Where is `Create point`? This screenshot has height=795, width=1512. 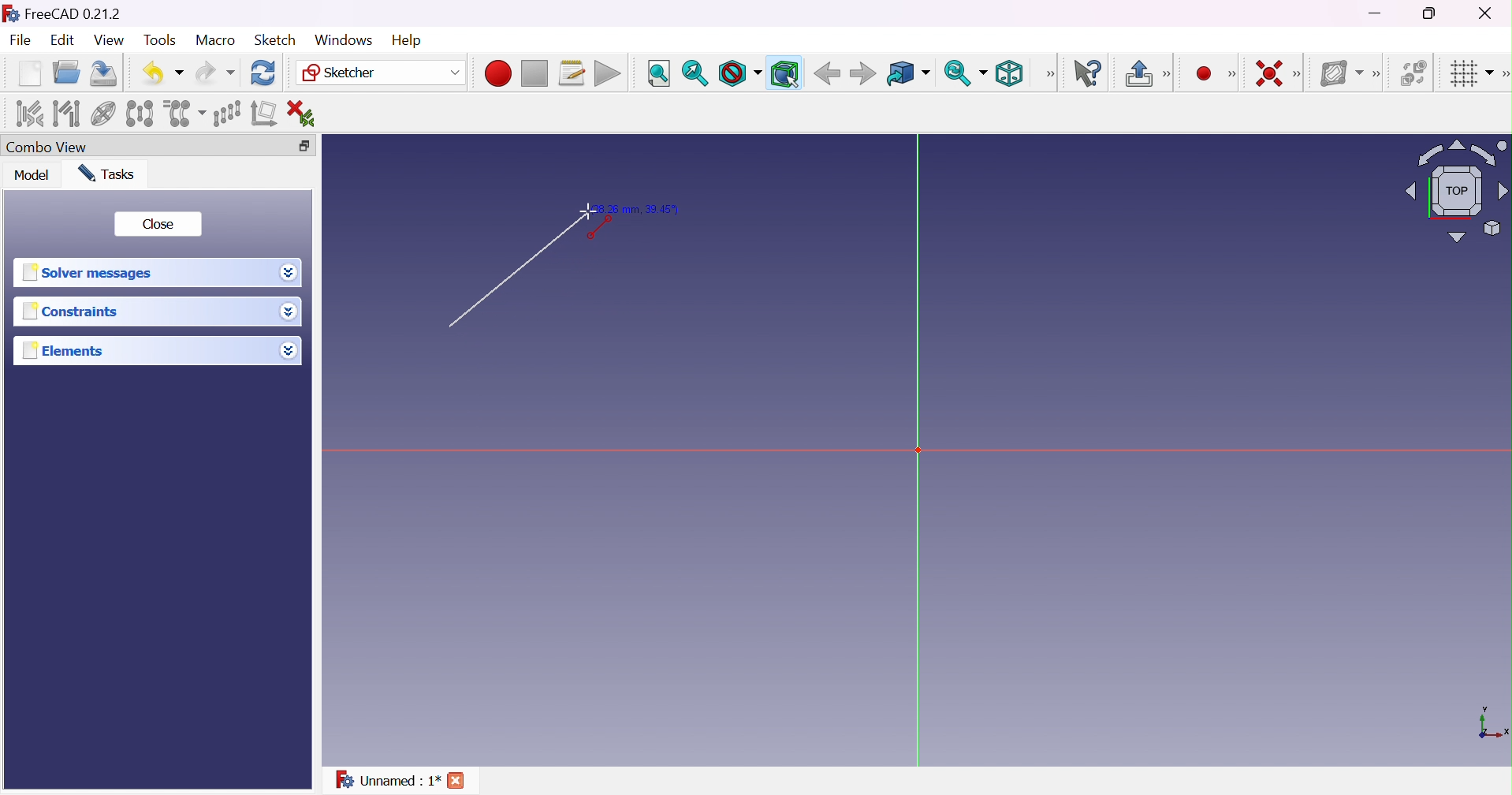
Create point is located at coordinates (1201, 72).